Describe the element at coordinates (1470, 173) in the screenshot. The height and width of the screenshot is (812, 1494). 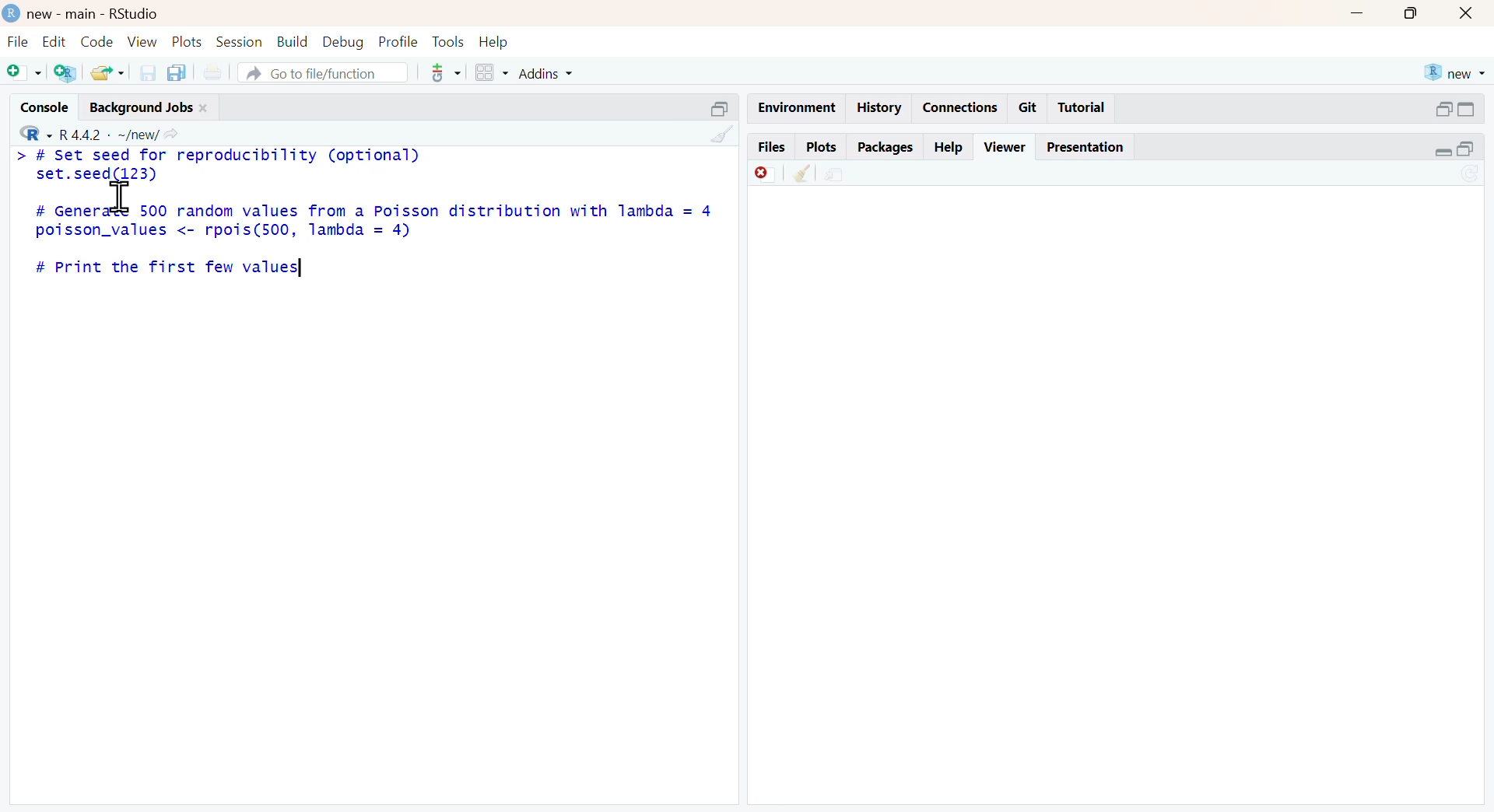
I see `sync` at that location.